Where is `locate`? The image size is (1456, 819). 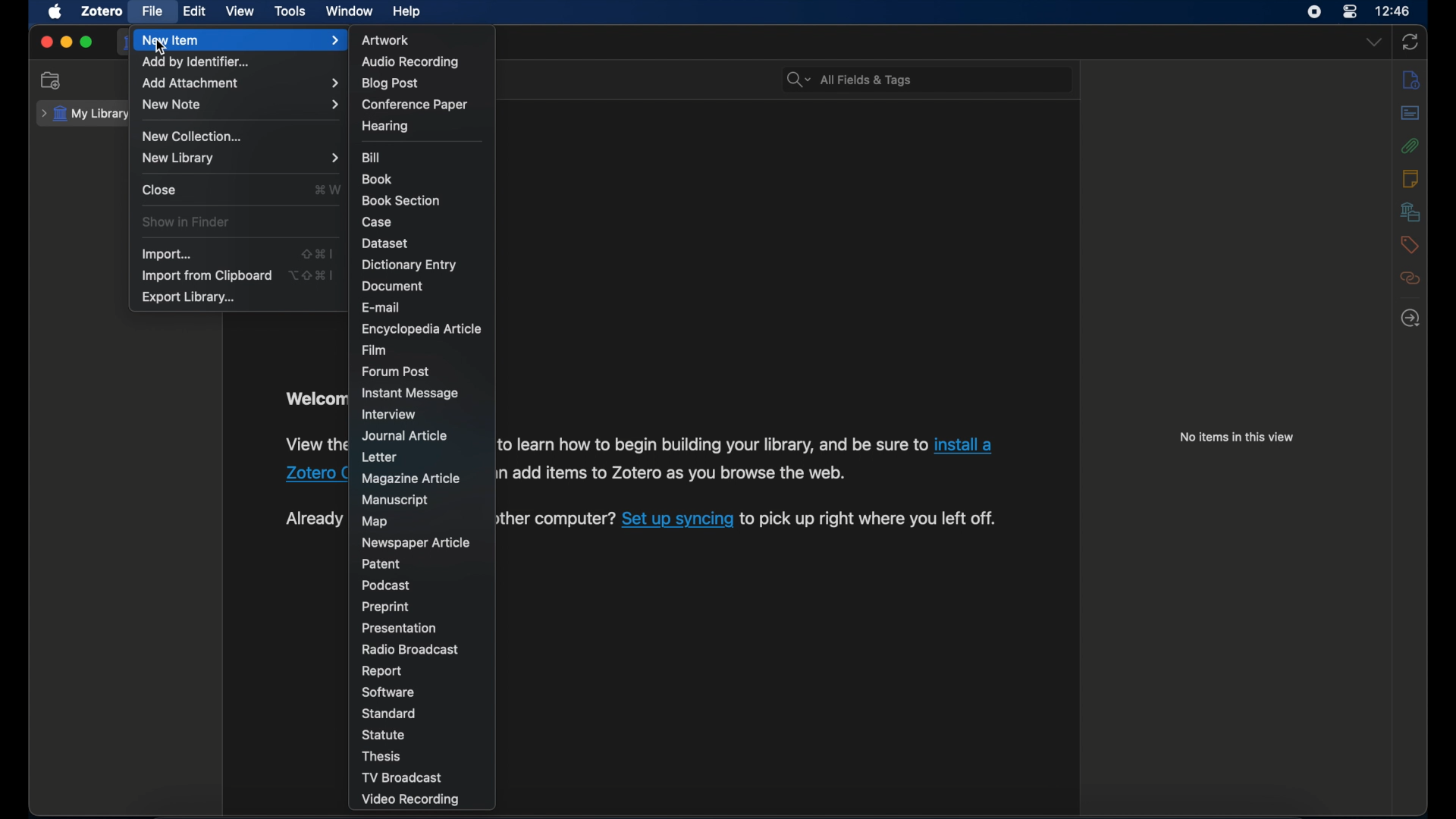 locate is located at coordinates (1410, 317).